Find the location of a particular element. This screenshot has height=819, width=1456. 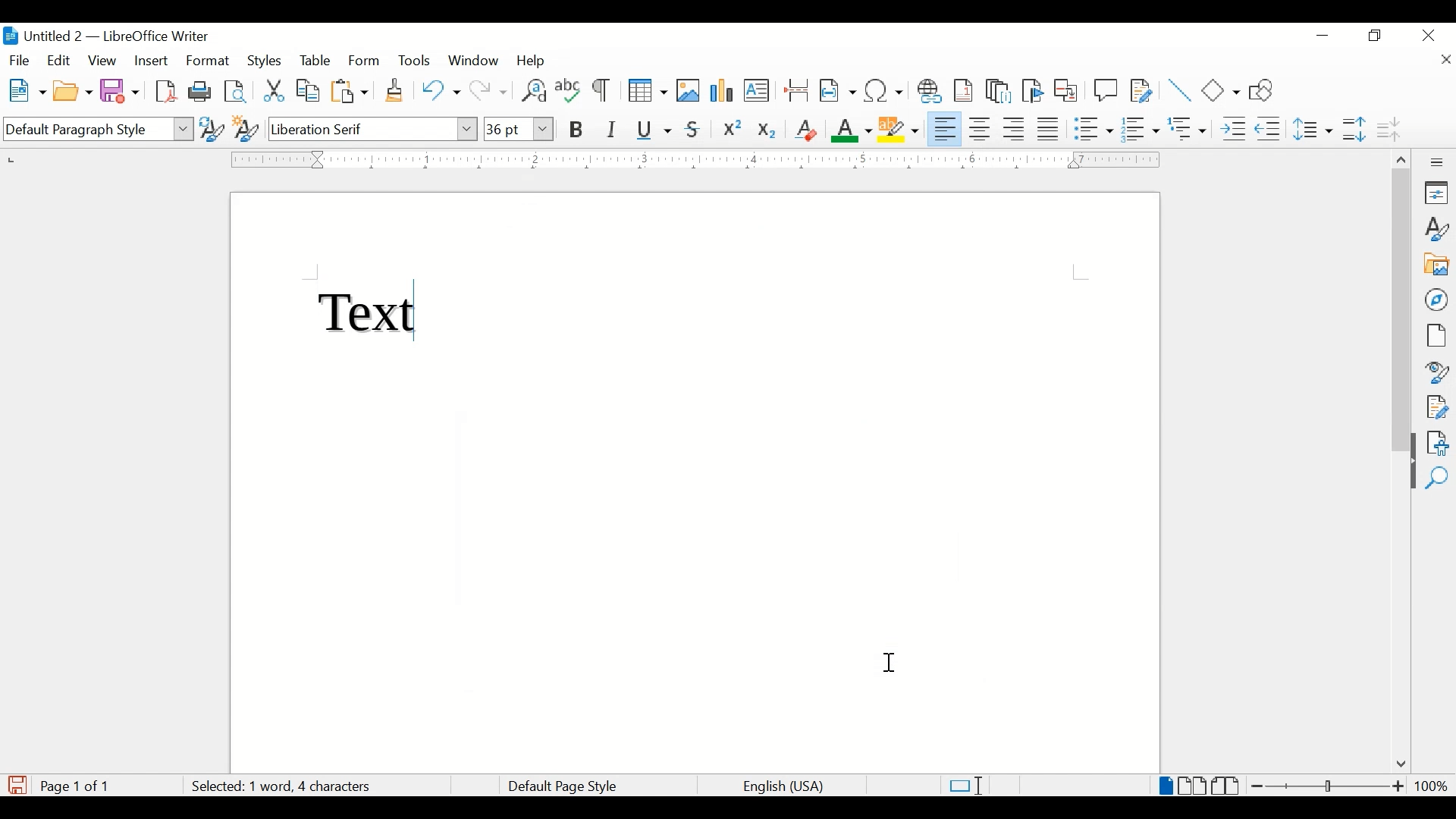

tools is located at coordinates (414, 60).